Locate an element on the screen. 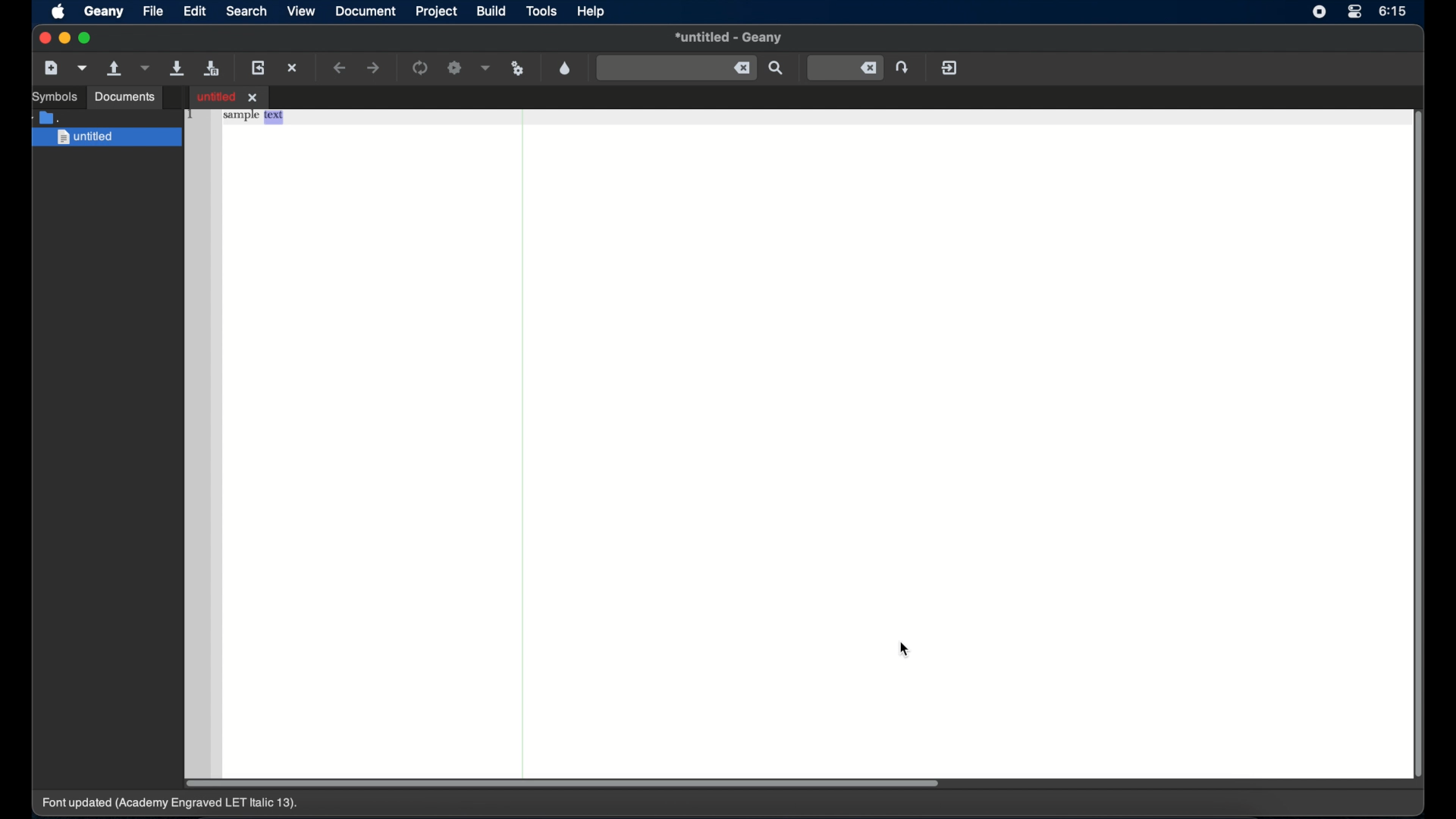 This screenshot has width=1456, height=819. divider is located at coordinates (522, 451).